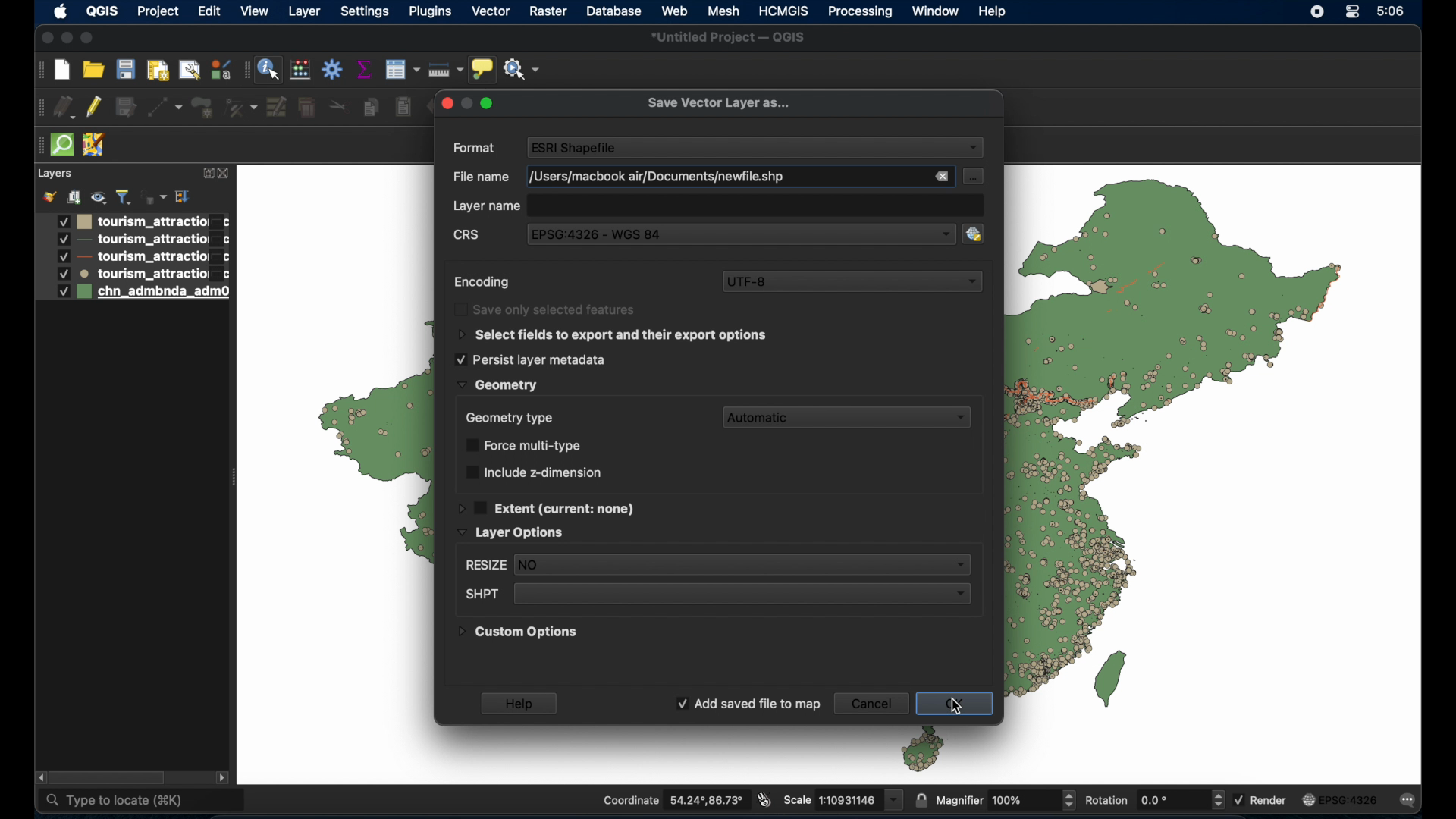 Image resolution: width=1456 pixels, height=819 pixels. Describe the element at coordinates (959, 702) in the screenshot. I see `cursor` at that location.